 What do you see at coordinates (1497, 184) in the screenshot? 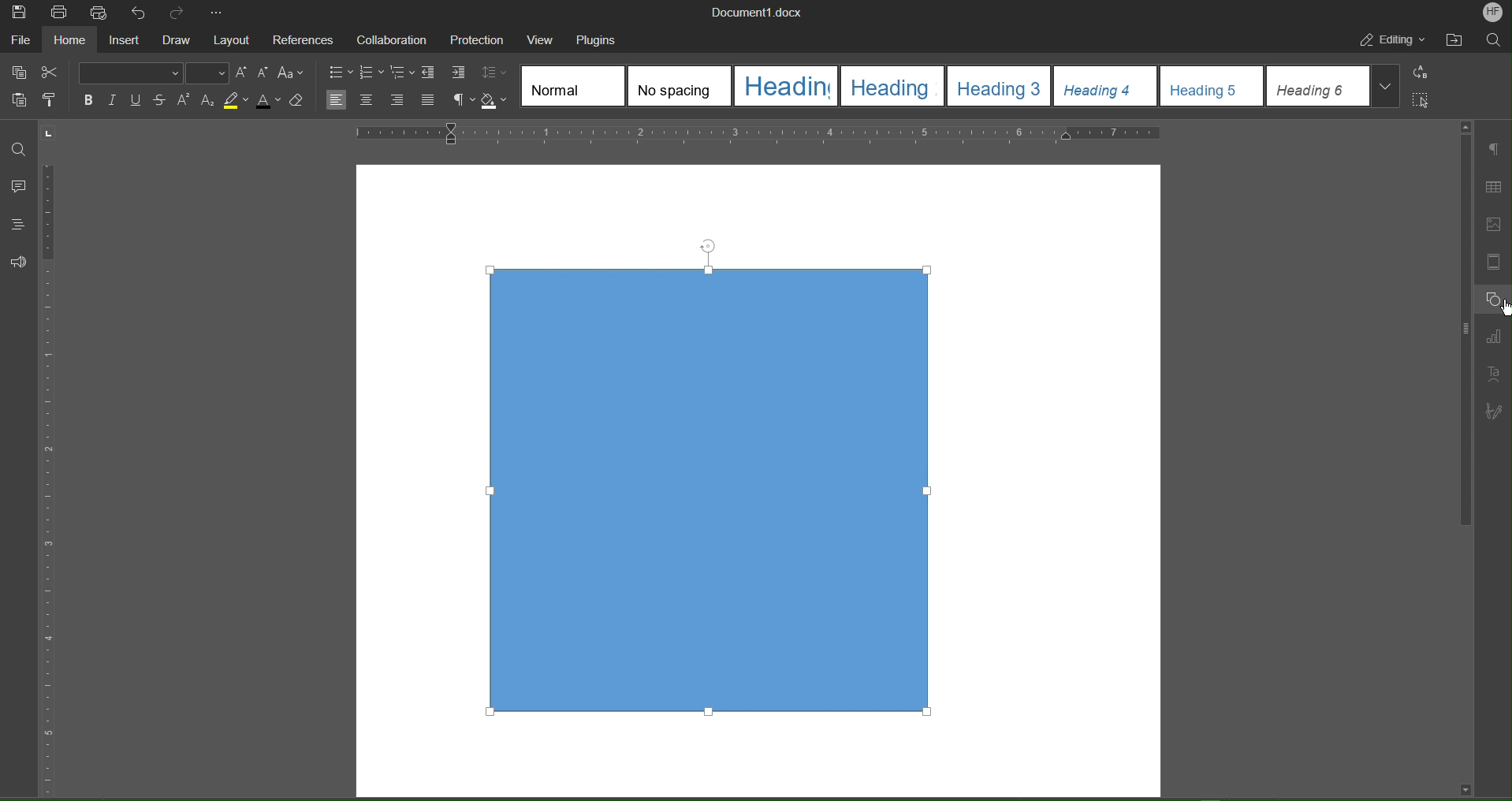
I see `Table` at bounding box center [1497, 184].